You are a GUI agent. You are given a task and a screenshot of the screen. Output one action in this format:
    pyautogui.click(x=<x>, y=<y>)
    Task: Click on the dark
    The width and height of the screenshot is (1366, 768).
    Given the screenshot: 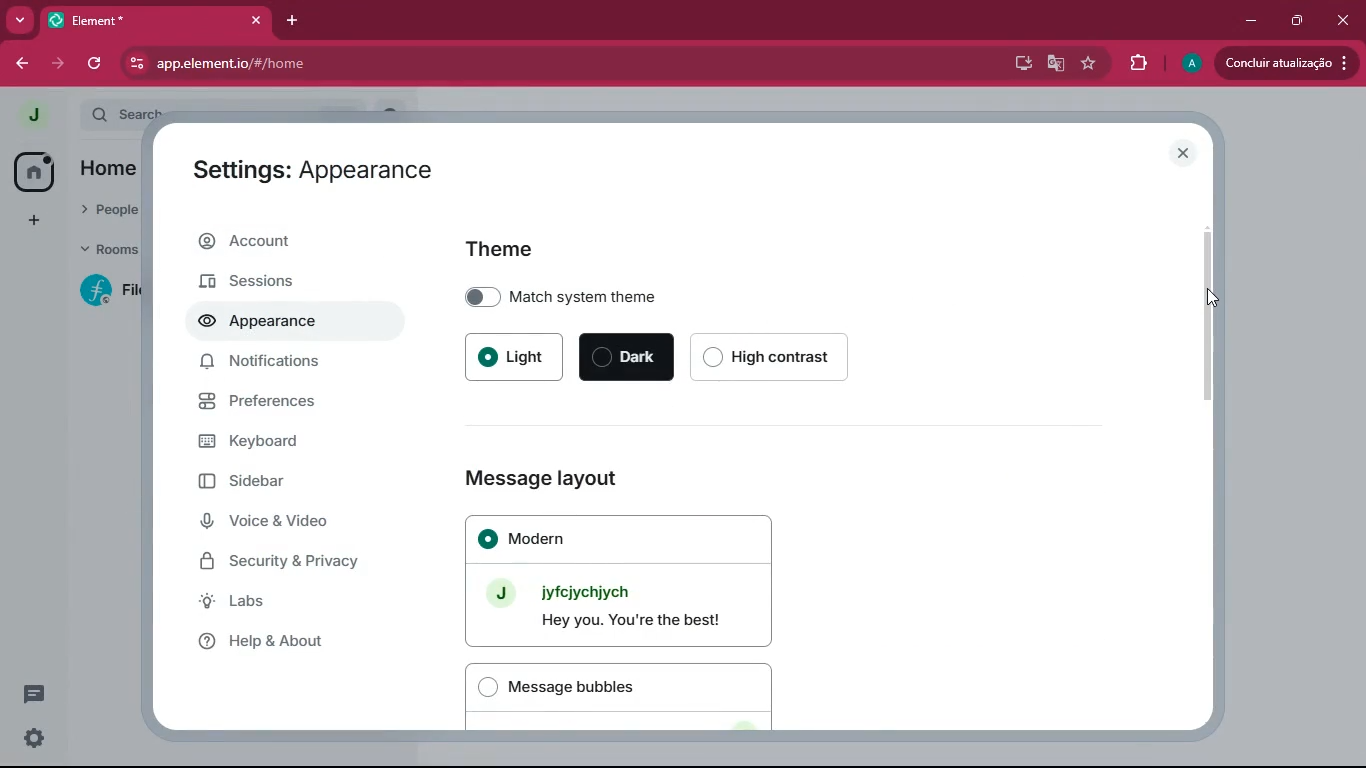 What is the action you would take?
    pyautogui.click(x=628, y=358)
    